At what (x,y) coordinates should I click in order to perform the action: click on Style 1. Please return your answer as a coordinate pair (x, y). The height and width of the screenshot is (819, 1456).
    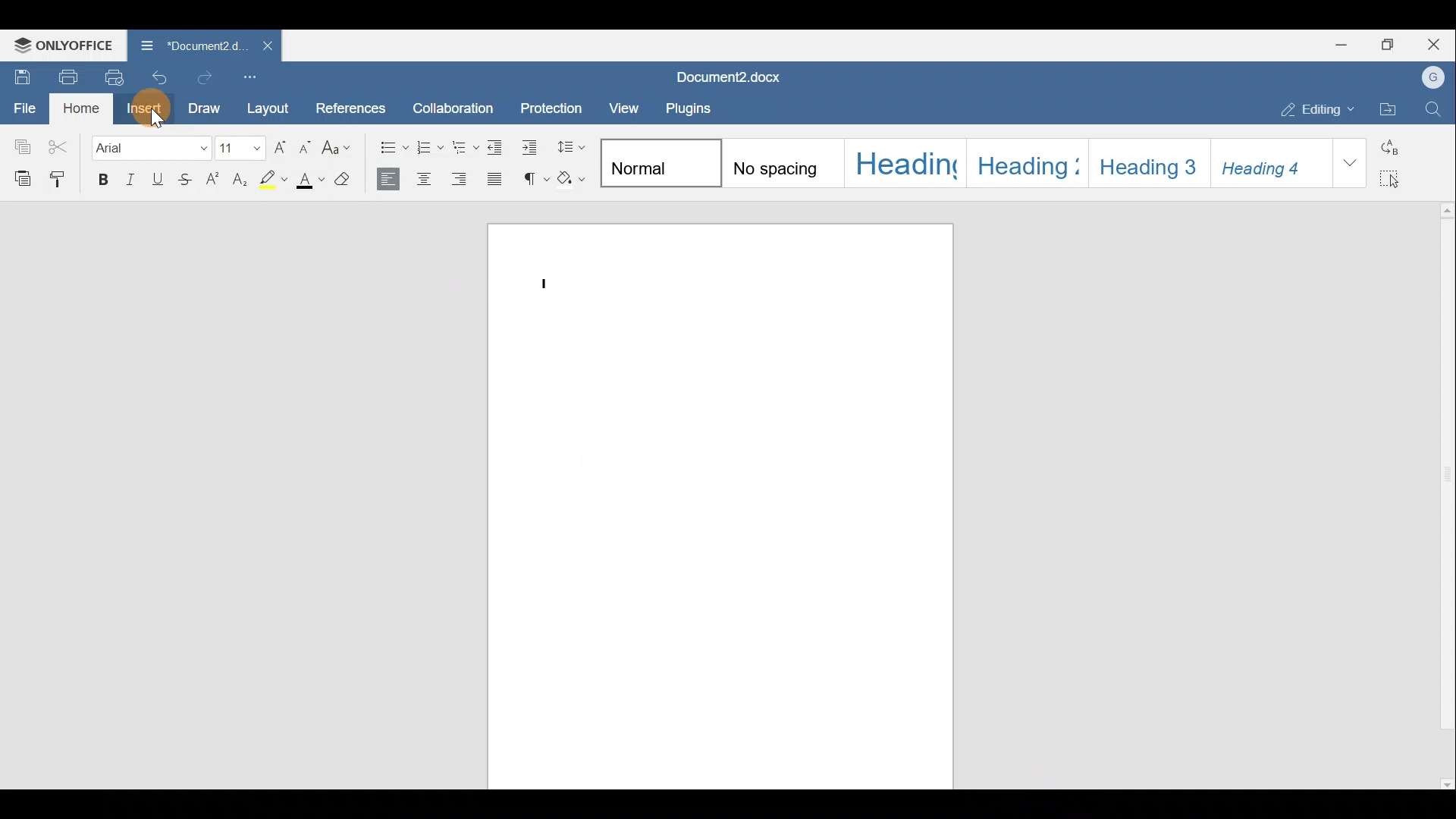
    Looking at the image, I should click on (661, 162).